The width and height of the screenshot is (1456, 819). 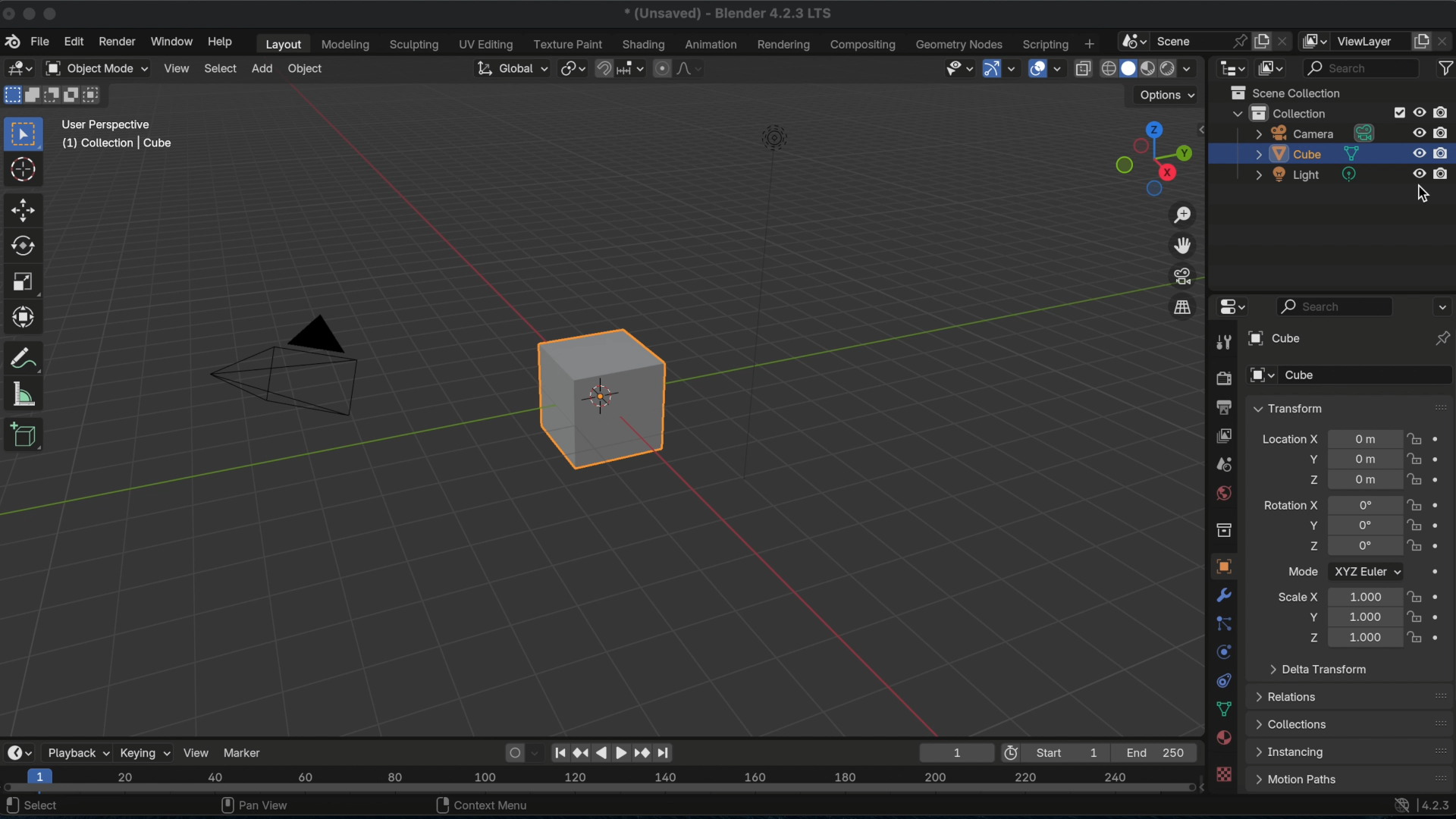 I want to click on editor type dropdown, so click(x=19, y=750).